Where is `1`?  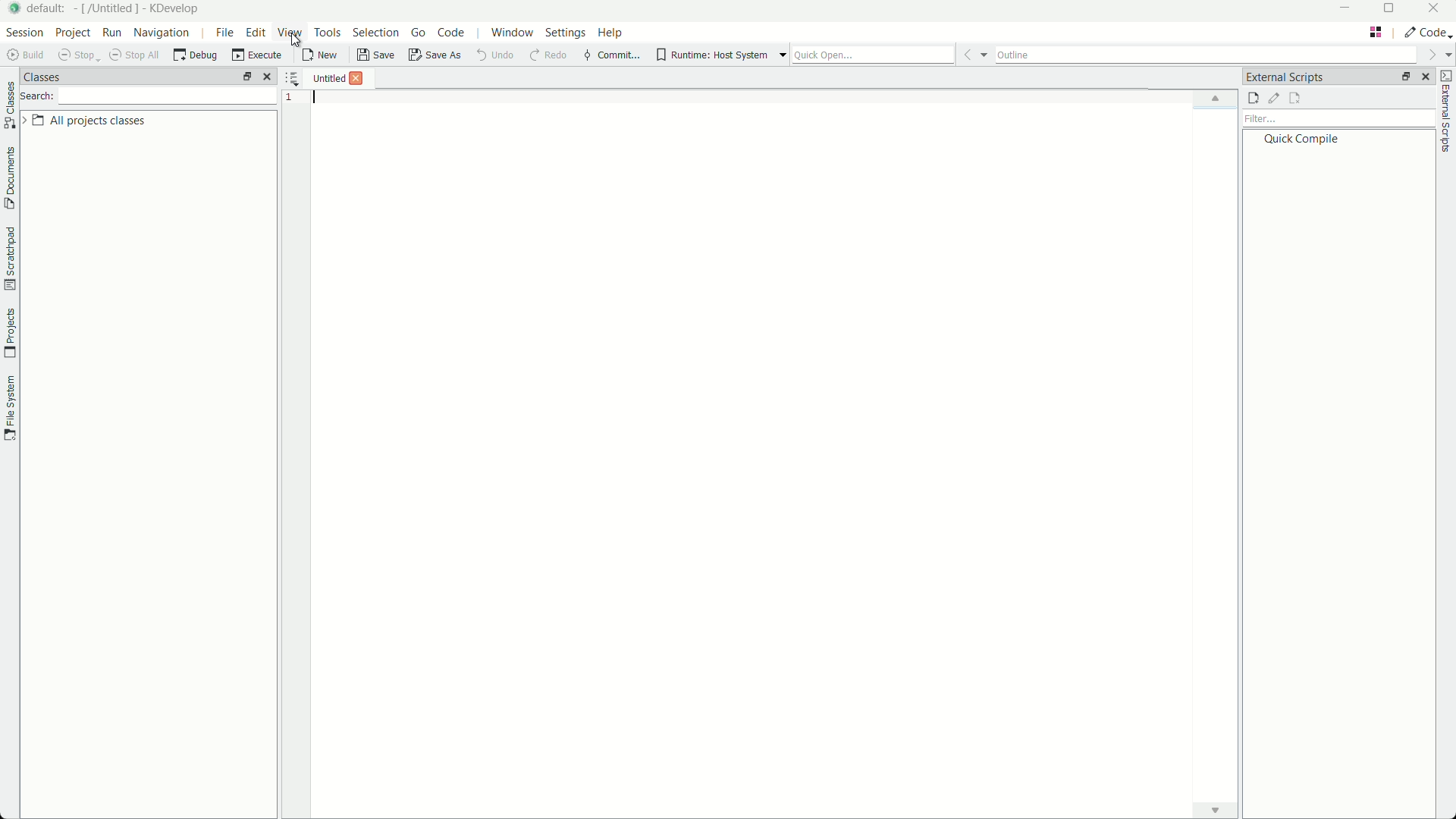 1 is located at coordinates (290, 99).